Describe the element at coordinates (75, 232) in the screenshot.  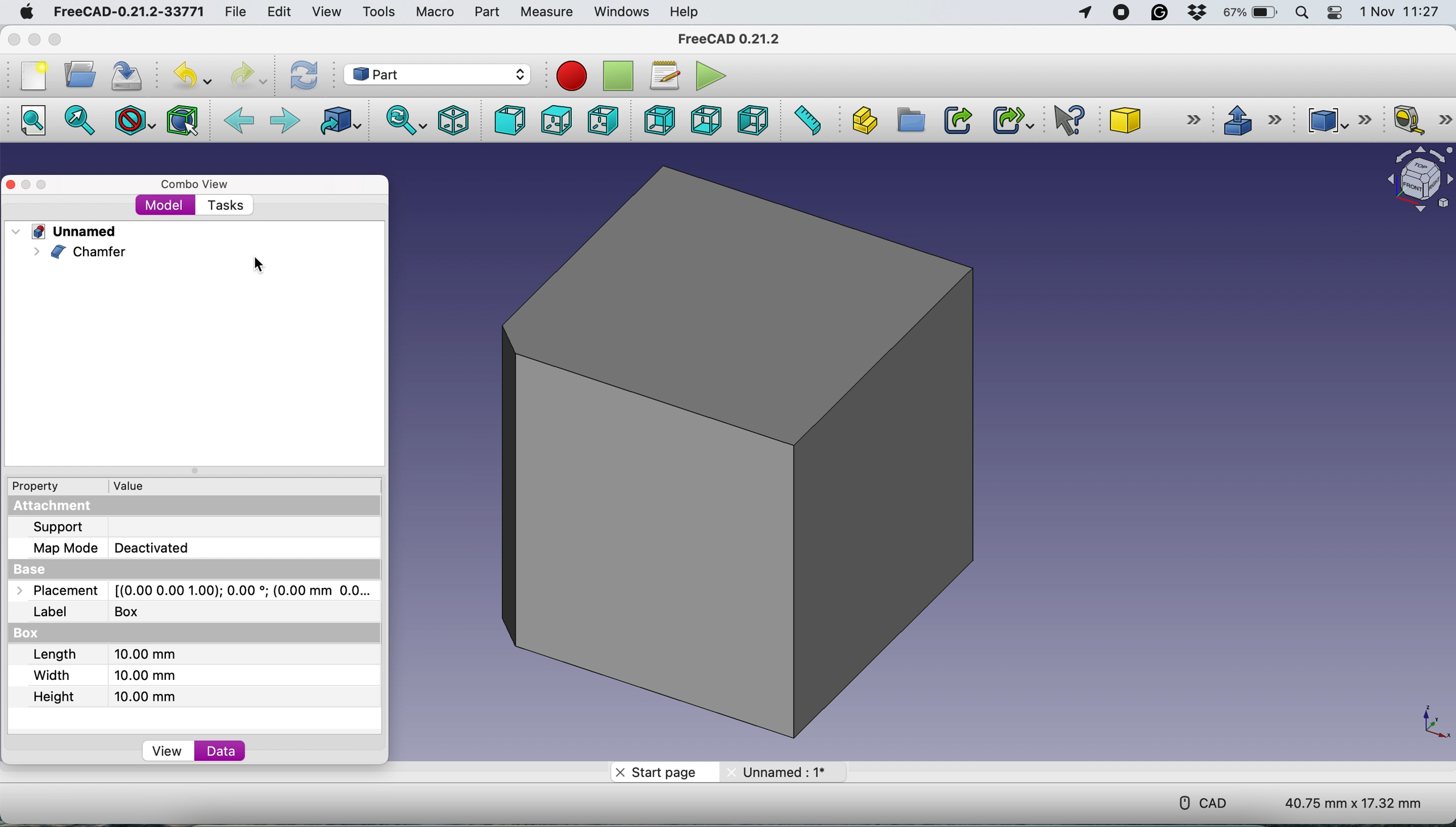
I see `unnamed` at that location.